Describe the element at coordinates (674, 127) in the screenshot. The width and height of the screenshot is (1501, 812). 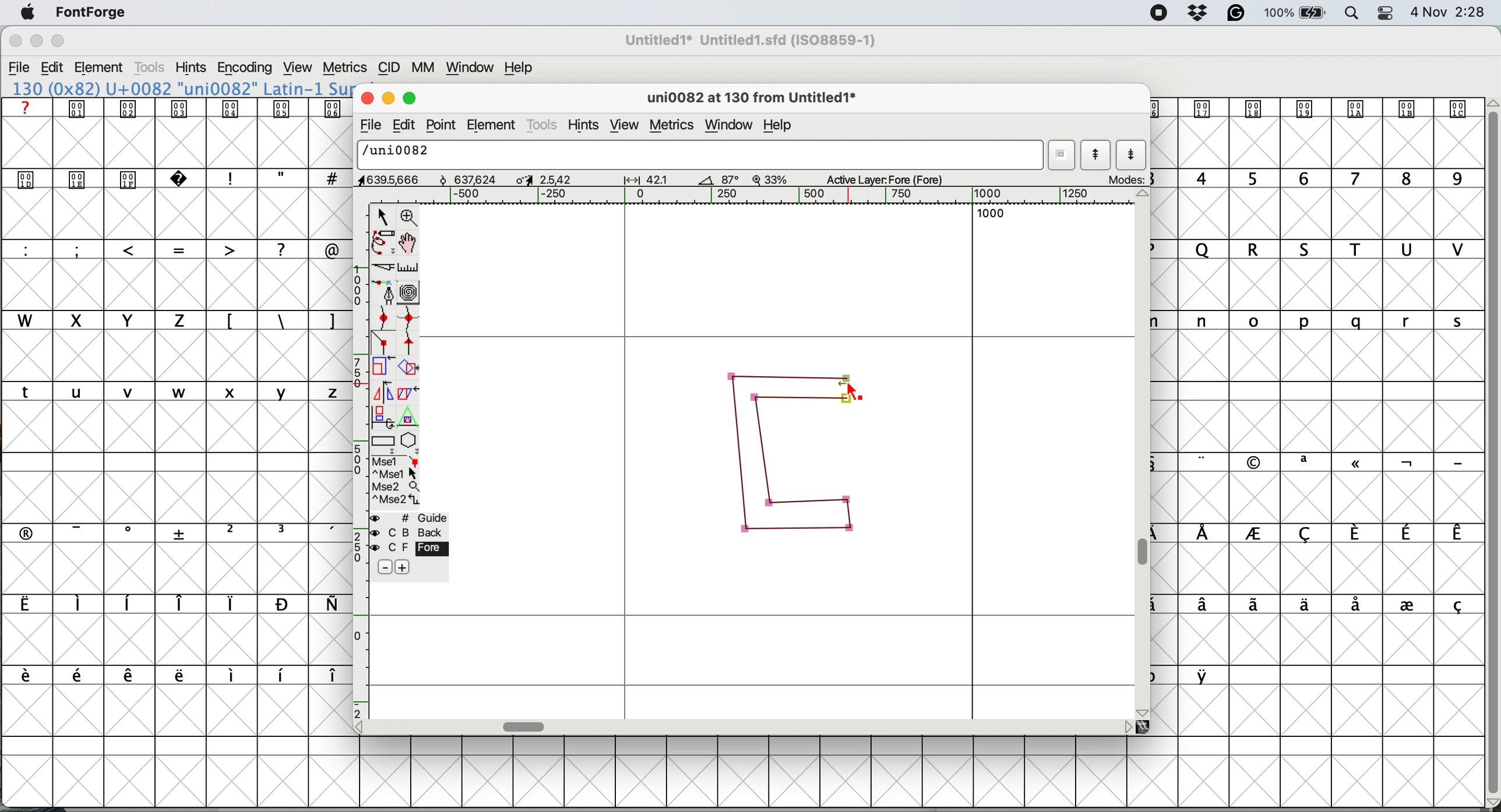
I see `metrics` at that location.